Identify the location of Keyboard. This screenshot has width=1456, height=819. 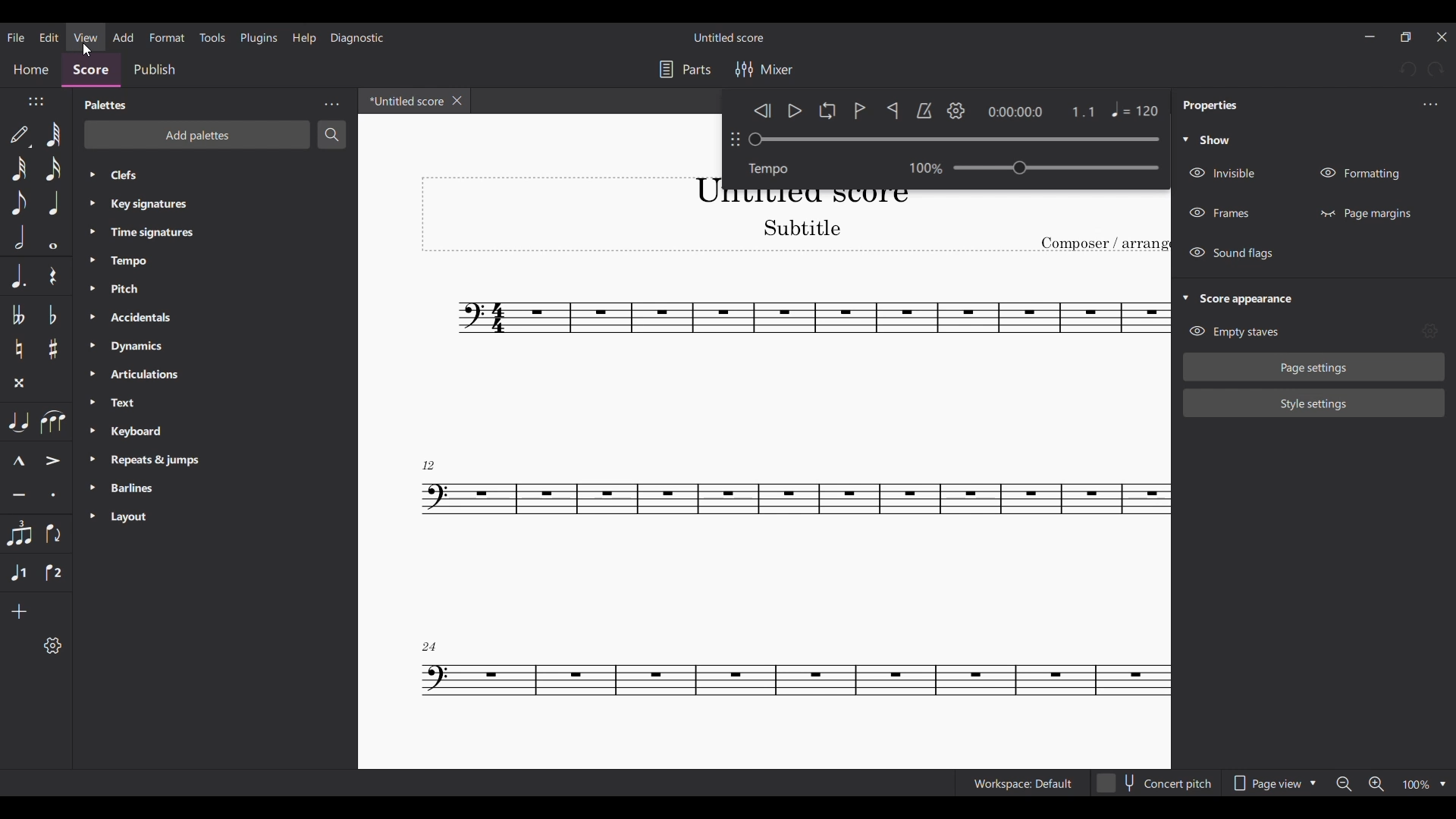
(199, 431).